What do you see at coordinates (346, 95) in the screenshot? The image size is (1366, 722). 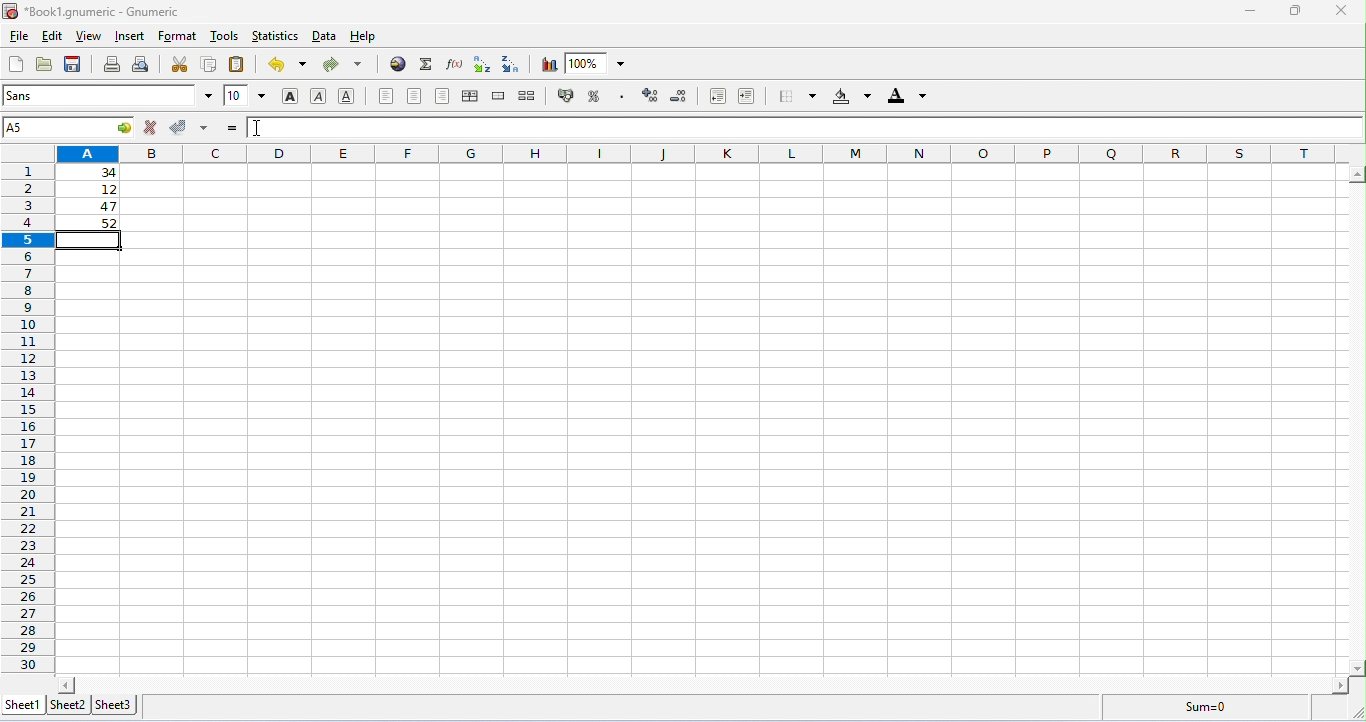 I see `underline` at bounding box center [346, 95].